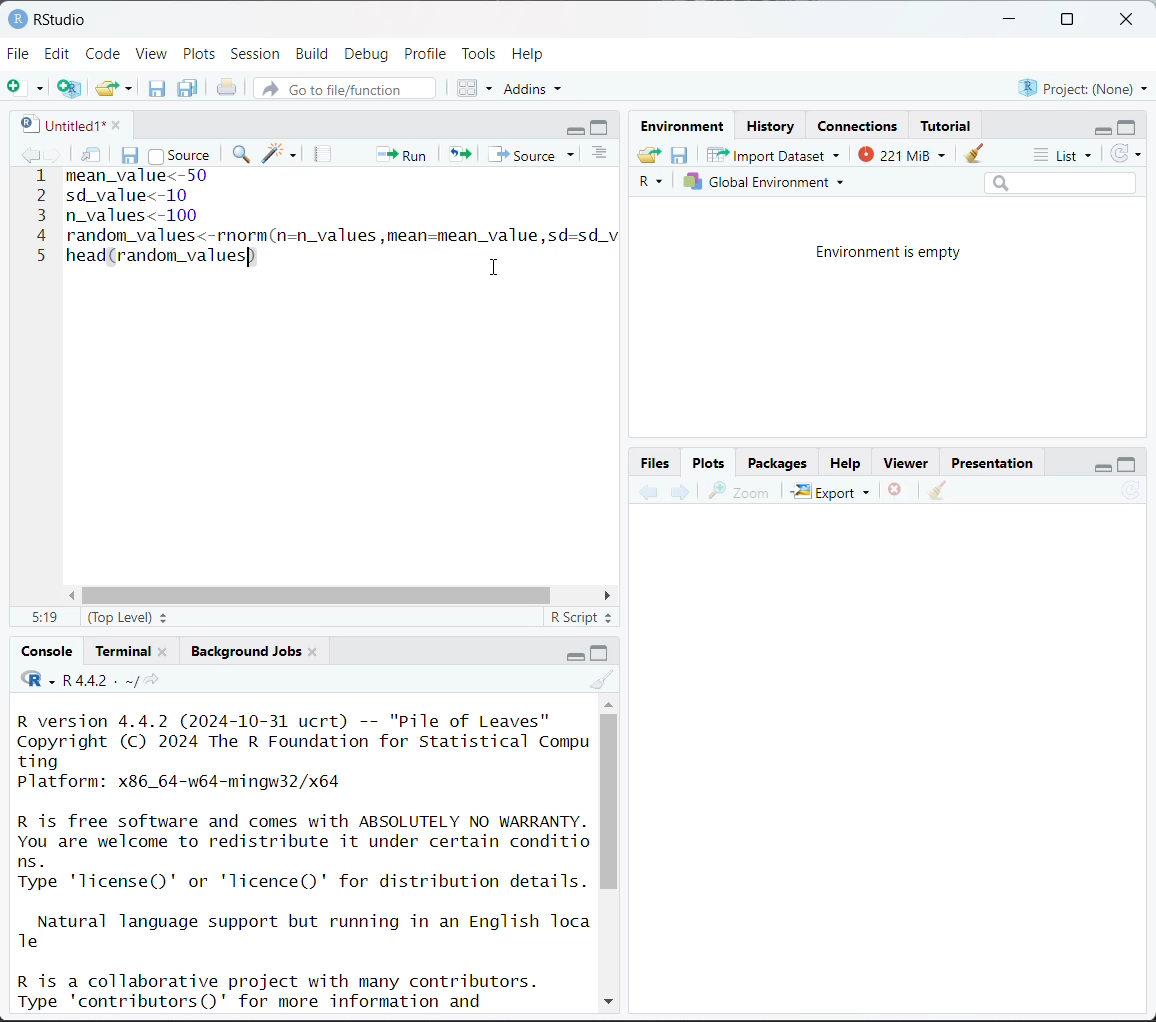  What do you see at coordinates (1082, 86) in the screenshot?
I see `Project:(None)` at bounding box center [1082, 86].